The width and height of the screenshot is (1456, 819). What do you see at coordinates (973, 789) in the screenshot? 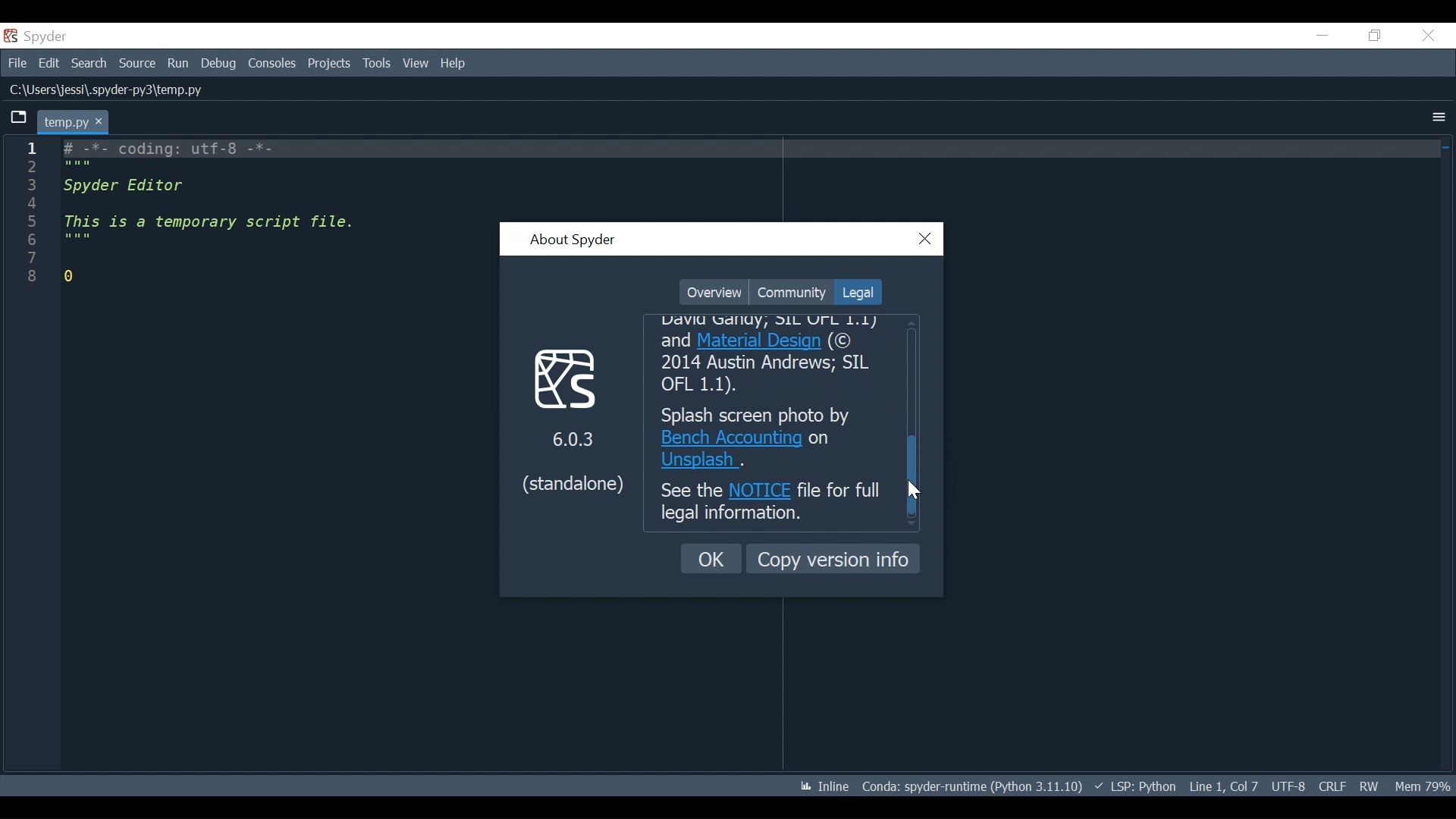
I see `Conda: spyder-runtime (Python 3.11.10)` at bounding box center [973, 789].